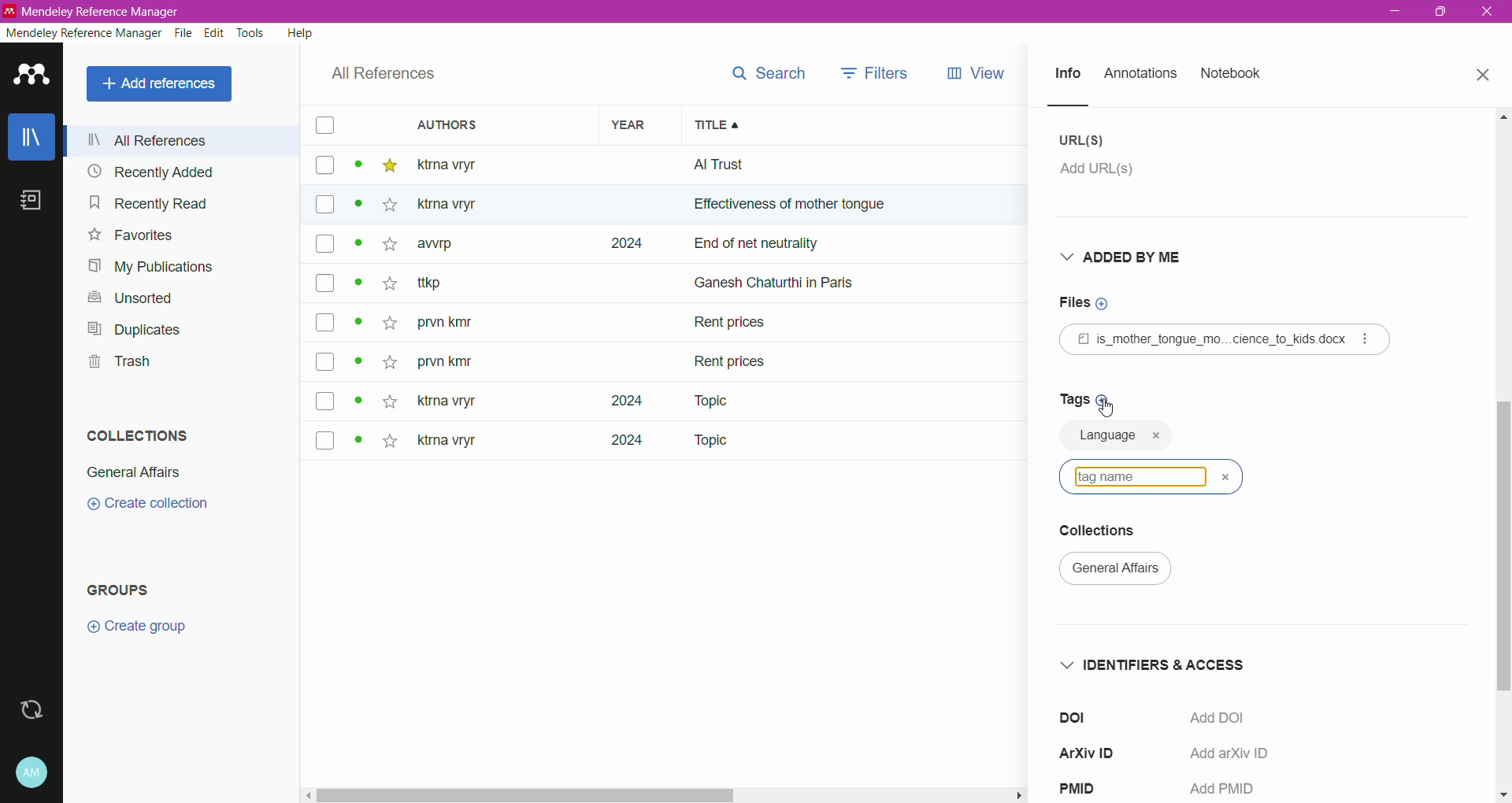  Describe the element at coordinates (445, 364) in the screenshot. I see `prvn kity` at that location.